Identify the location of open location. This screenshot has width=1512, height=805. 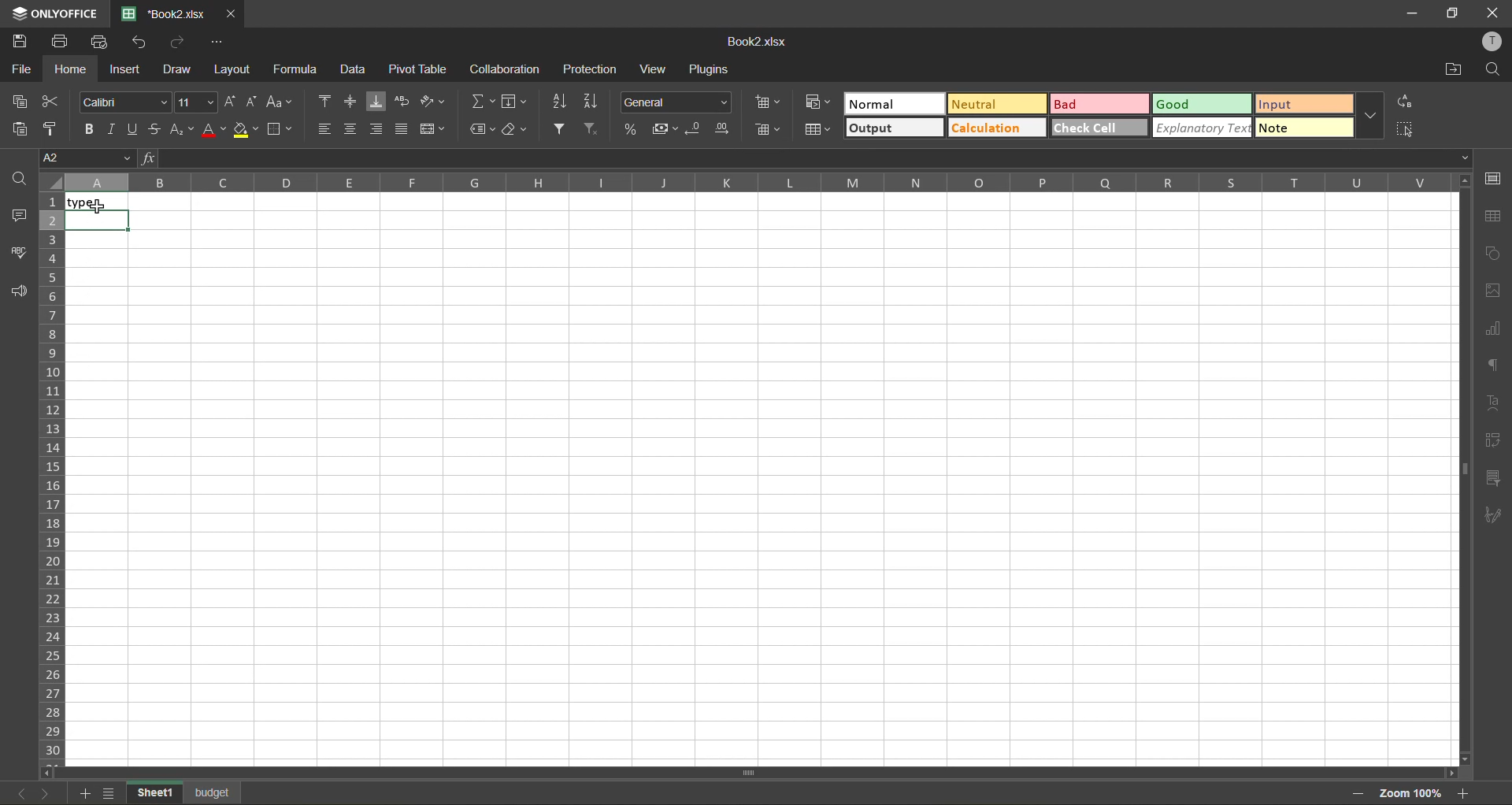
(1455, 69).